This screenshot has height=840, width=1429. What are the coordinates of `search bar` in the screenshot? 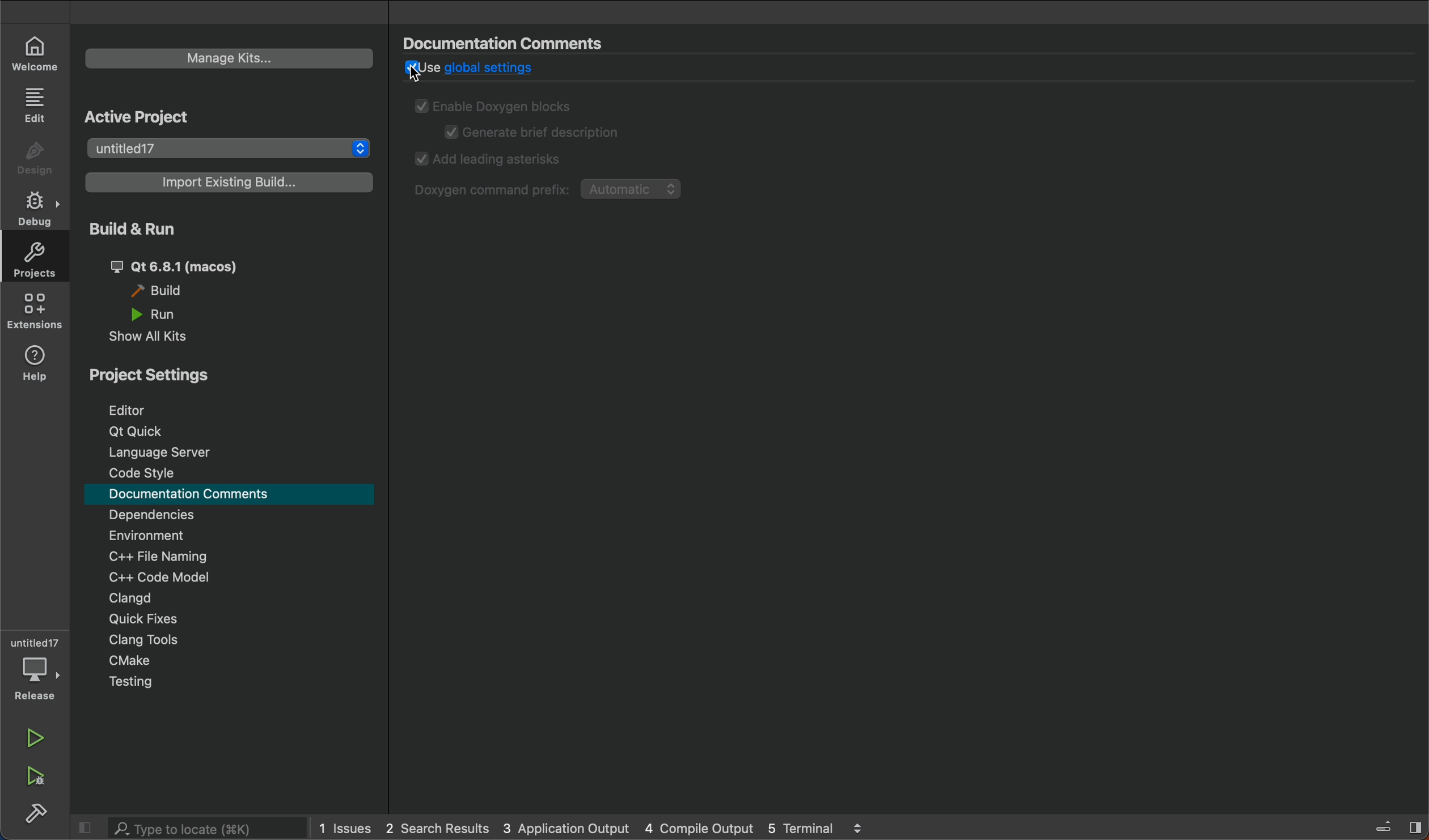 It's located at (208, 828).